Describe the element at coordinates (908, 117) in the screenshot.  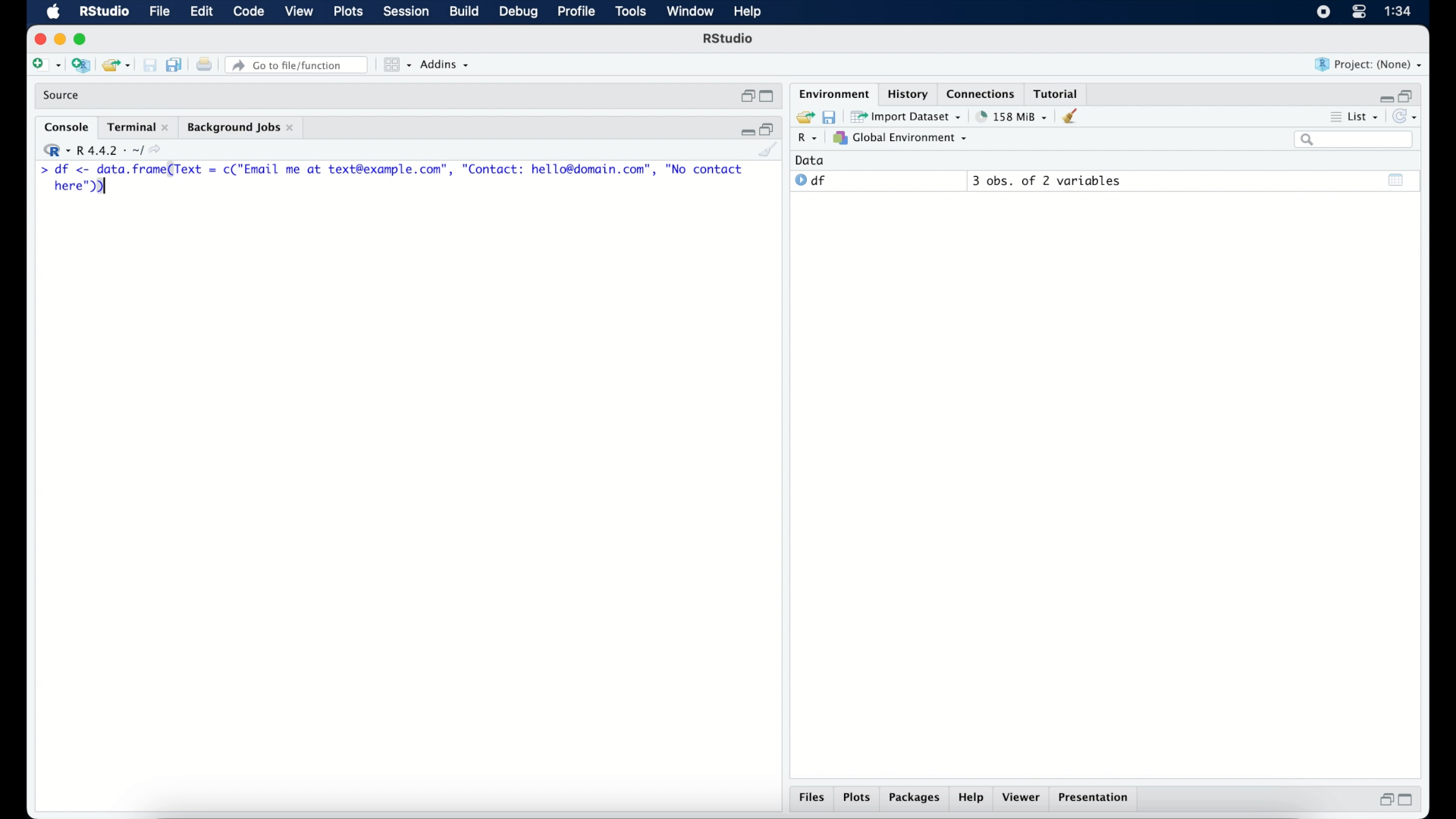
I see `import dataset` at that location.